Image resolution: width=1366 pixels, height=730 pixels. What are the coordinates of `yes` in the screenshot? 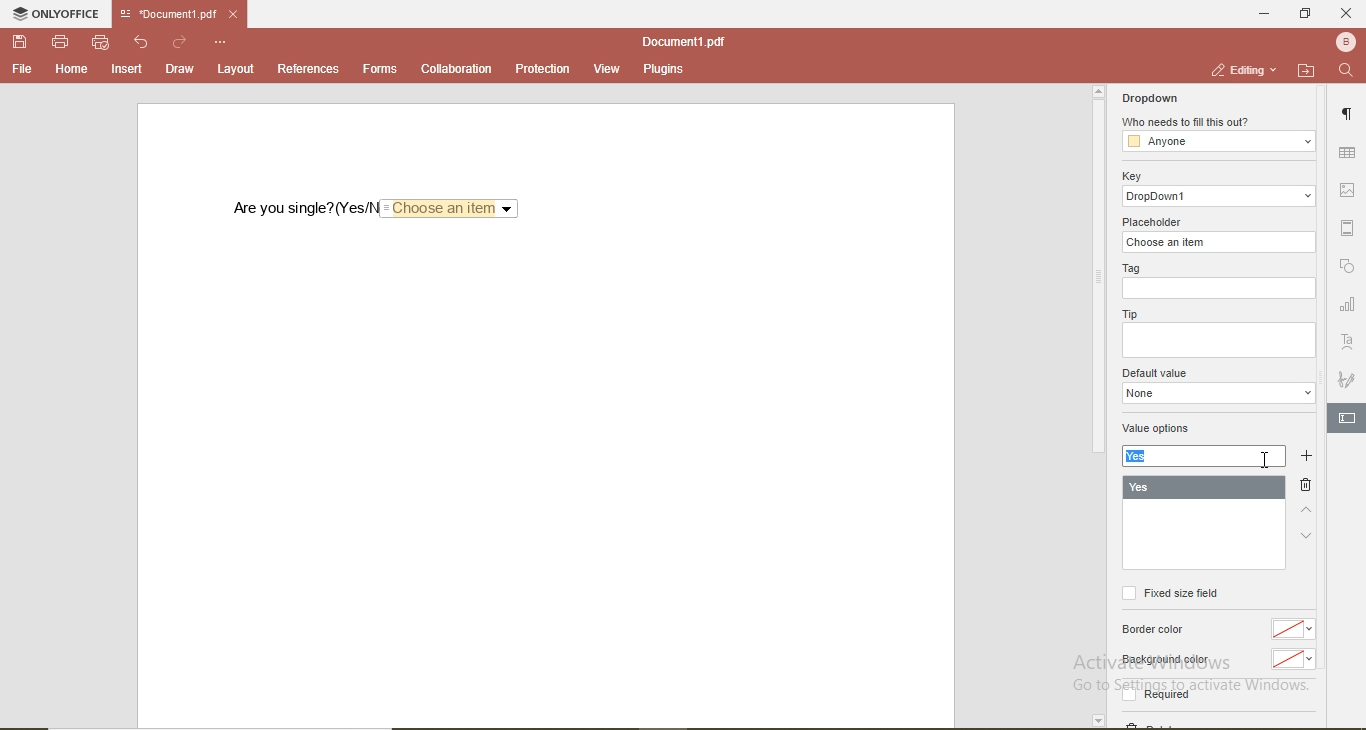 It's located at (1203, 488).